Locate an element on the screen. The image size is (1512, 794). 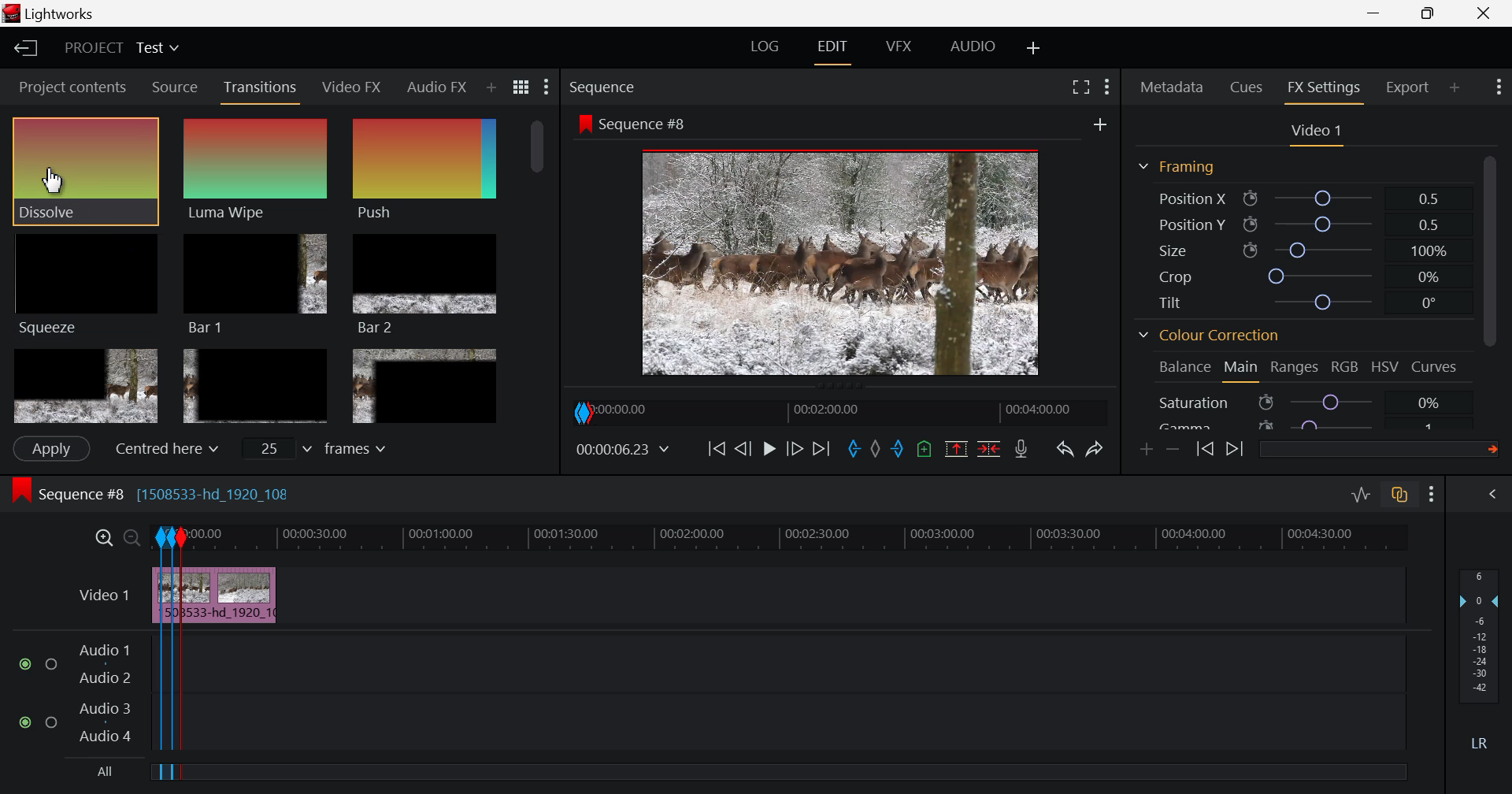
Centered here is located at coordinates (162, 449).